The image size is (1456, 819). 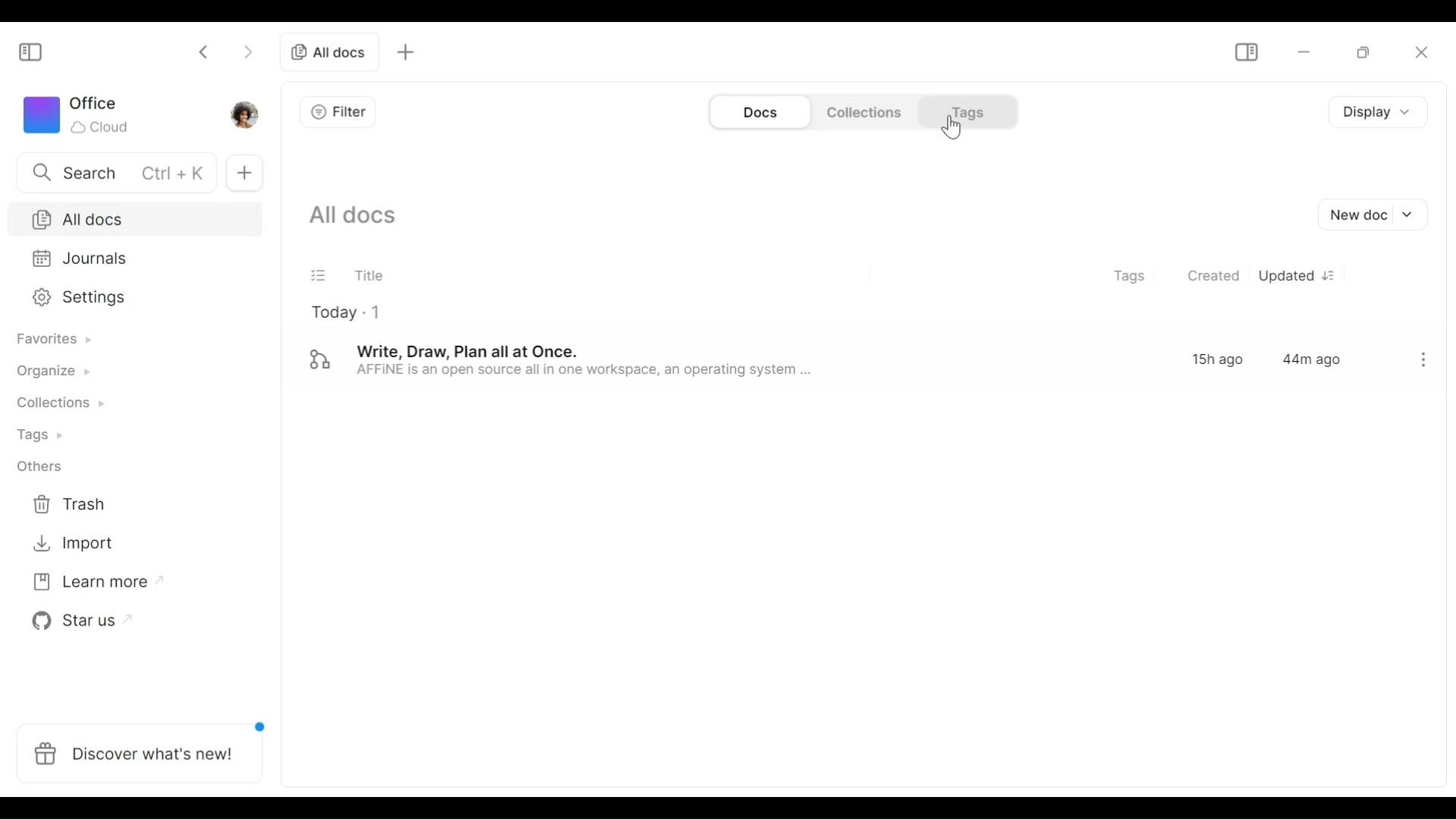 What do you see at coordinates (80, 622) in the screenshot?
I see `Star us` at bounding box center [80, 622].